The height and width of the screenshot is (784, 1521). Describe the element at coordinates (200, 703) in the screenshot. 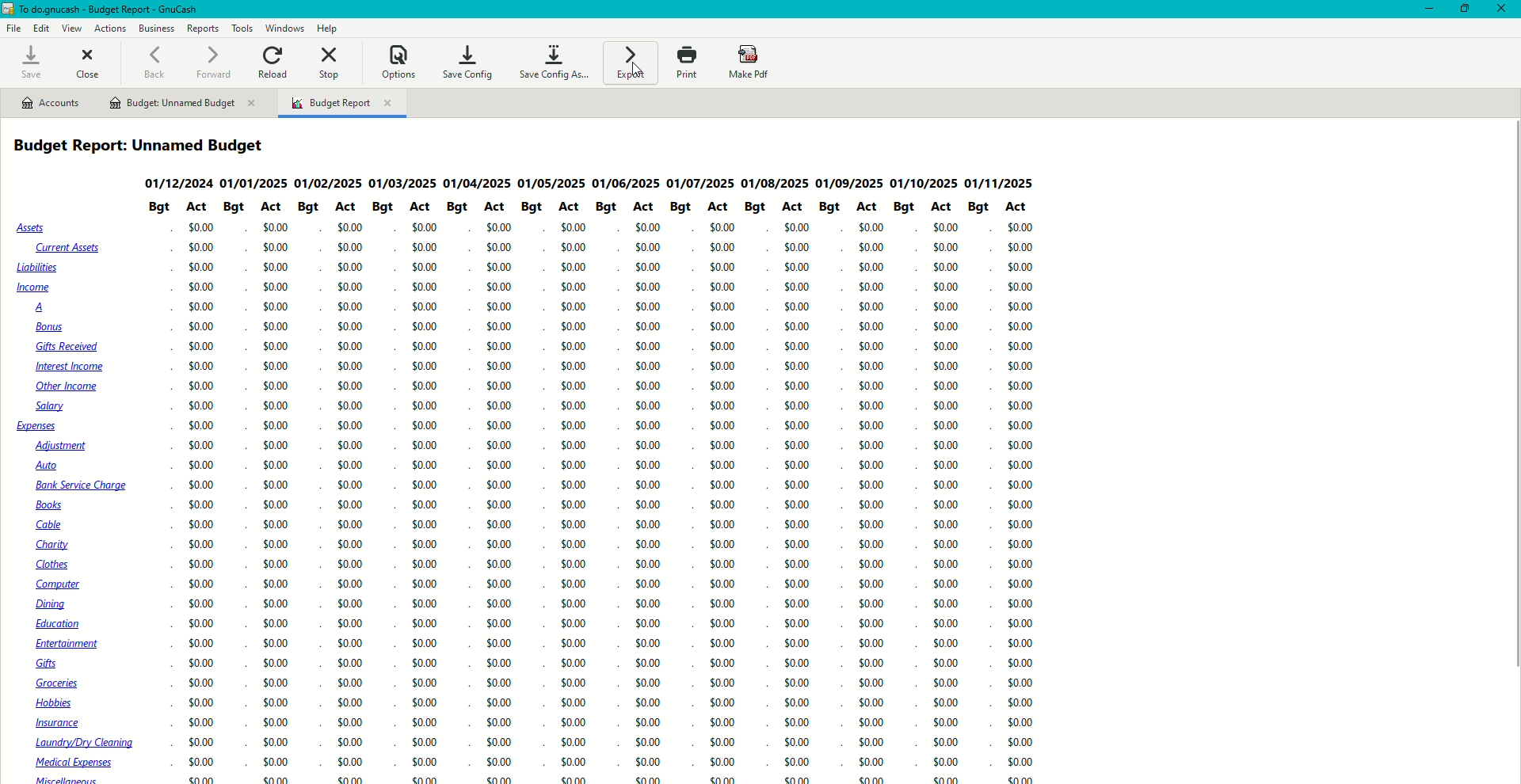

I see `$0.00` at that location.